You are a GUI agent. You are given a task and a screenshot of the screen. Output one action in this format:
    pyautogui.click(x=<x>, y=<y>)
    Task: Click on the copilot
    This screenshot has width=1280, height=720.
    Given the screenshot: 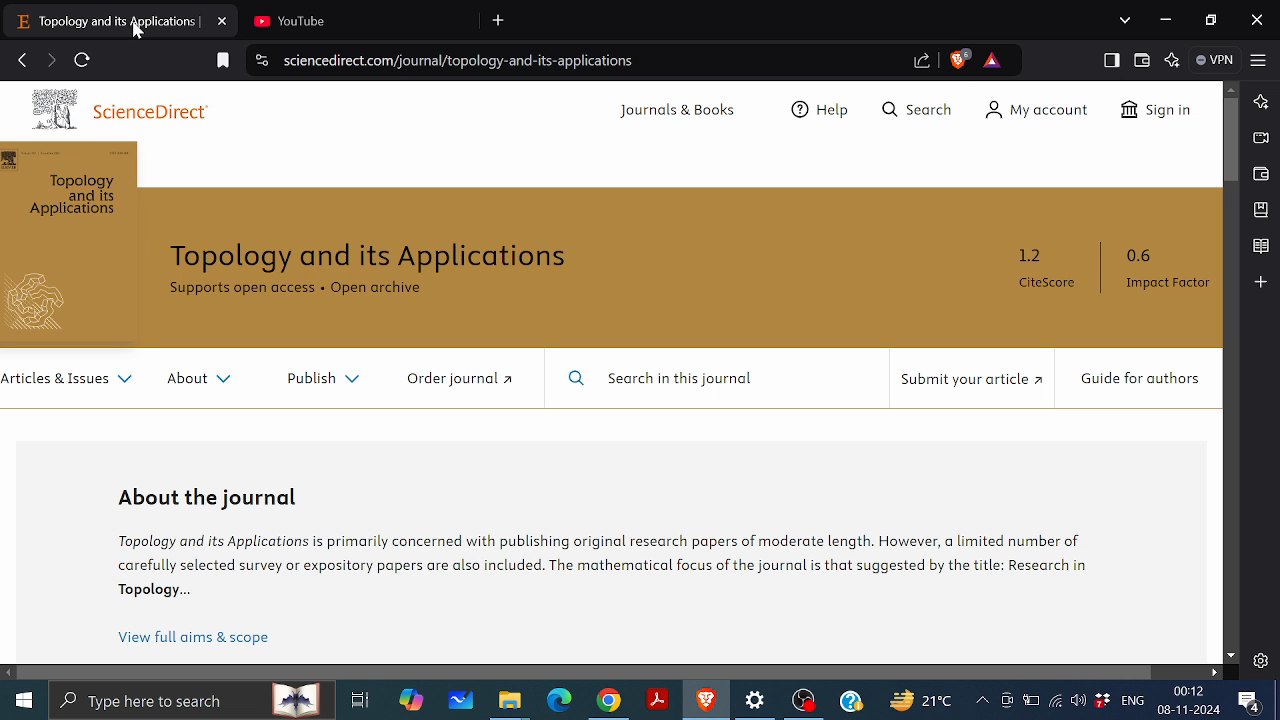 What is the action you would take?
    pyautogui.click(x=412, y=700)
    